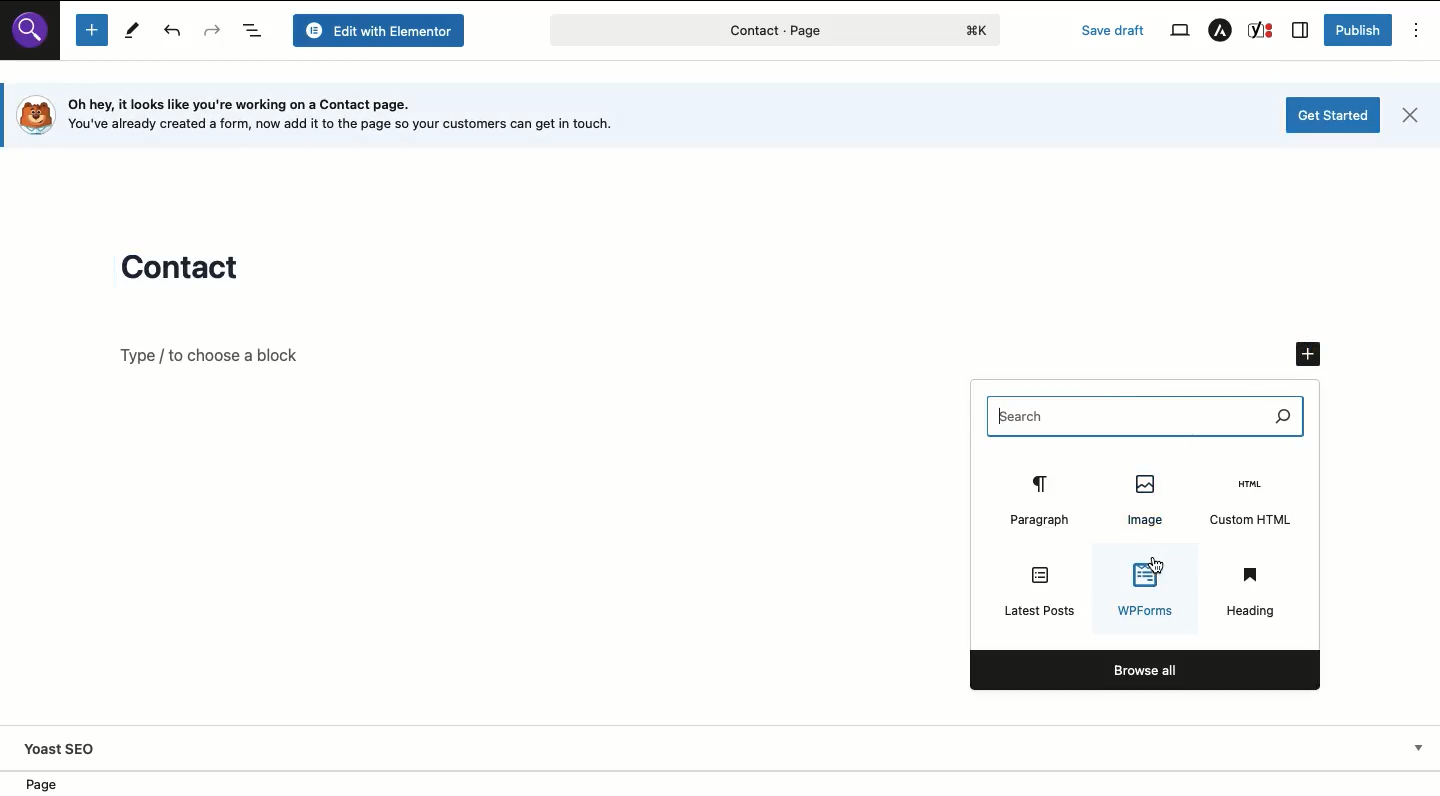 The width and height of the screenshot is (1440, 796). Describe the element at coordinates (130, 30) in the screenshot. I see `Tools` at that location.